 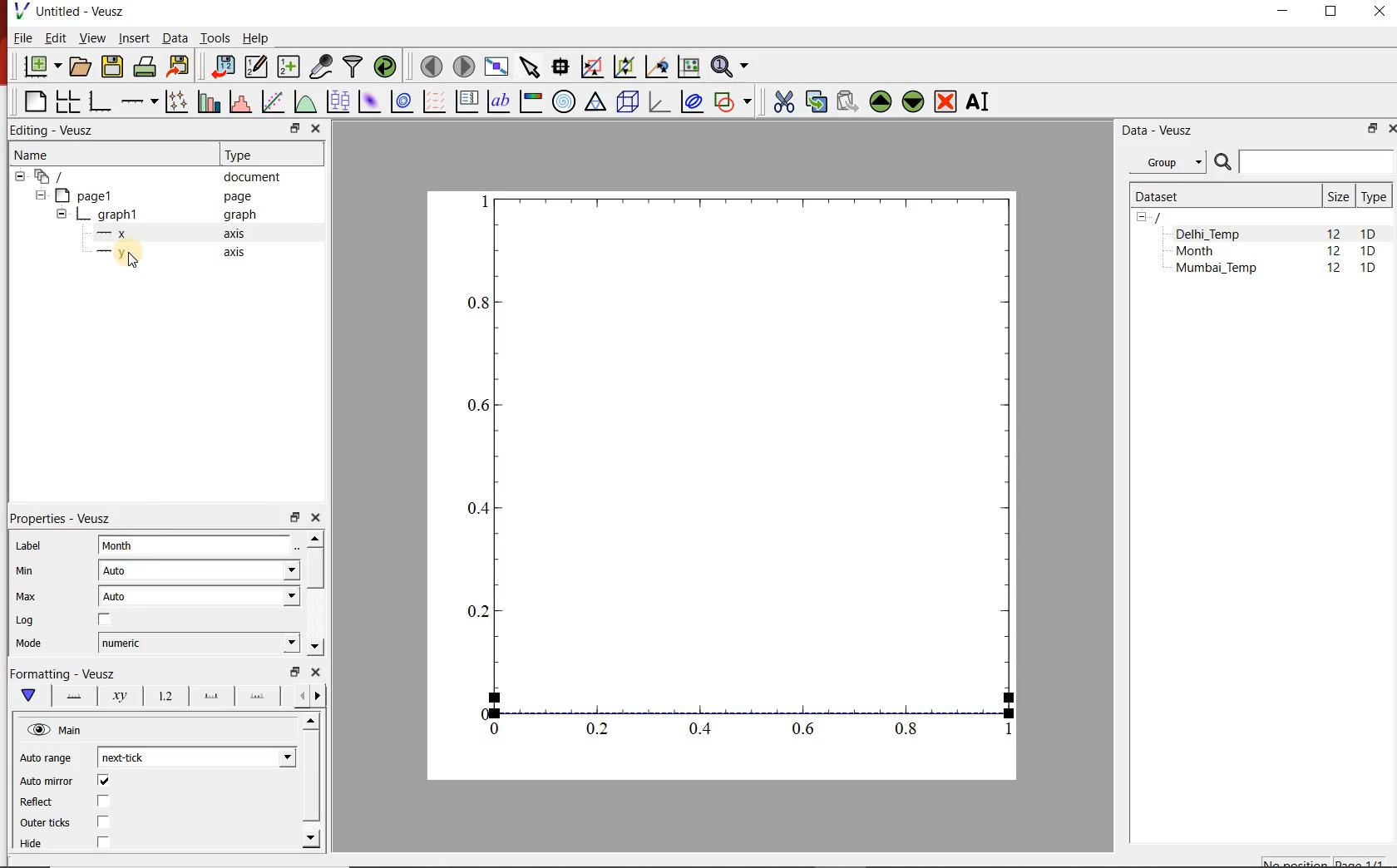 What do you see at coordinates (848, 101) in the screenshot?
I see `paste widget from the clipboard` at bounding box center [848, 101].